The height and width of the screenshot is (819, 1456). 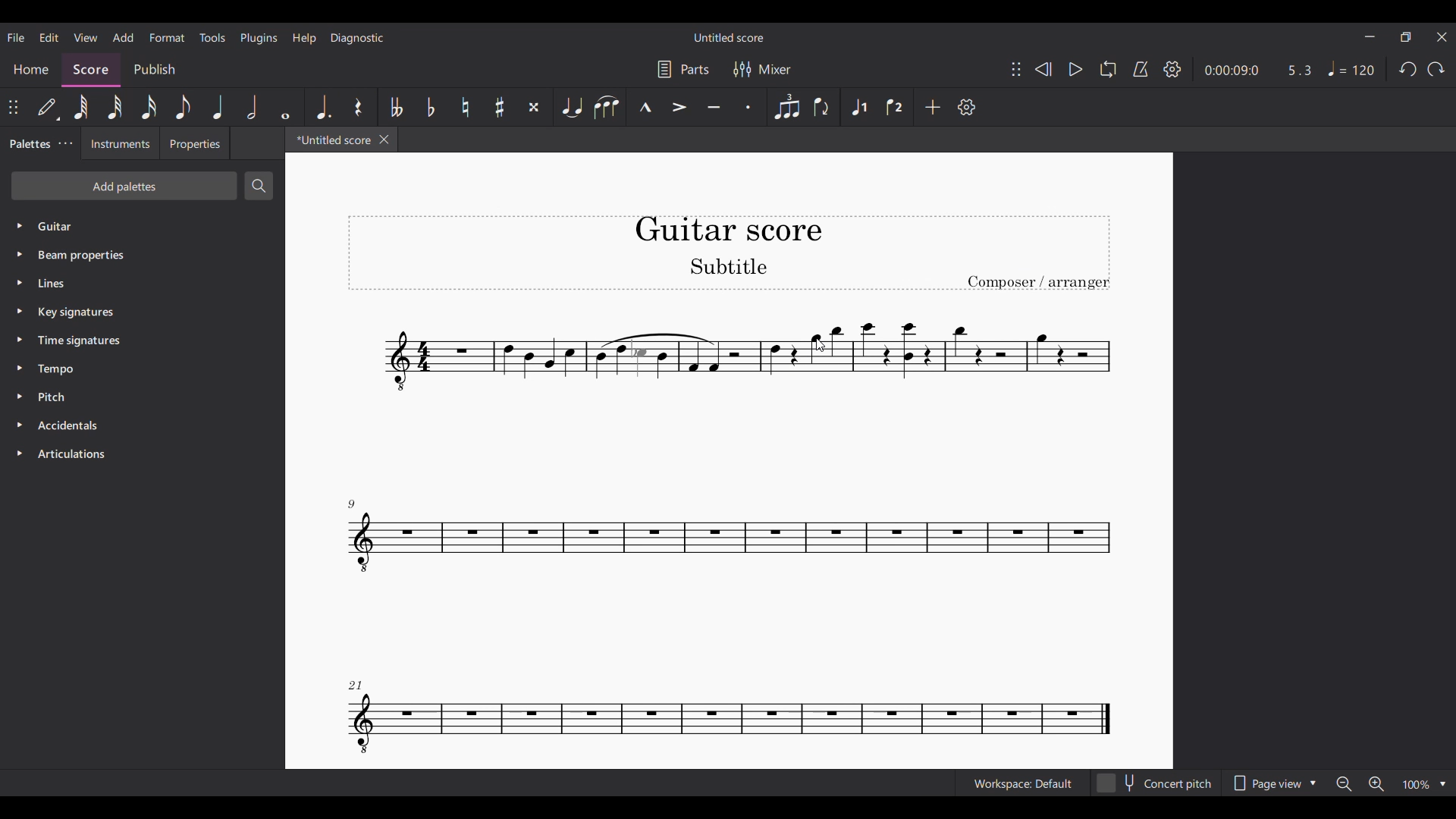 I want to click on Edit menu, so click(x=49, y=38).